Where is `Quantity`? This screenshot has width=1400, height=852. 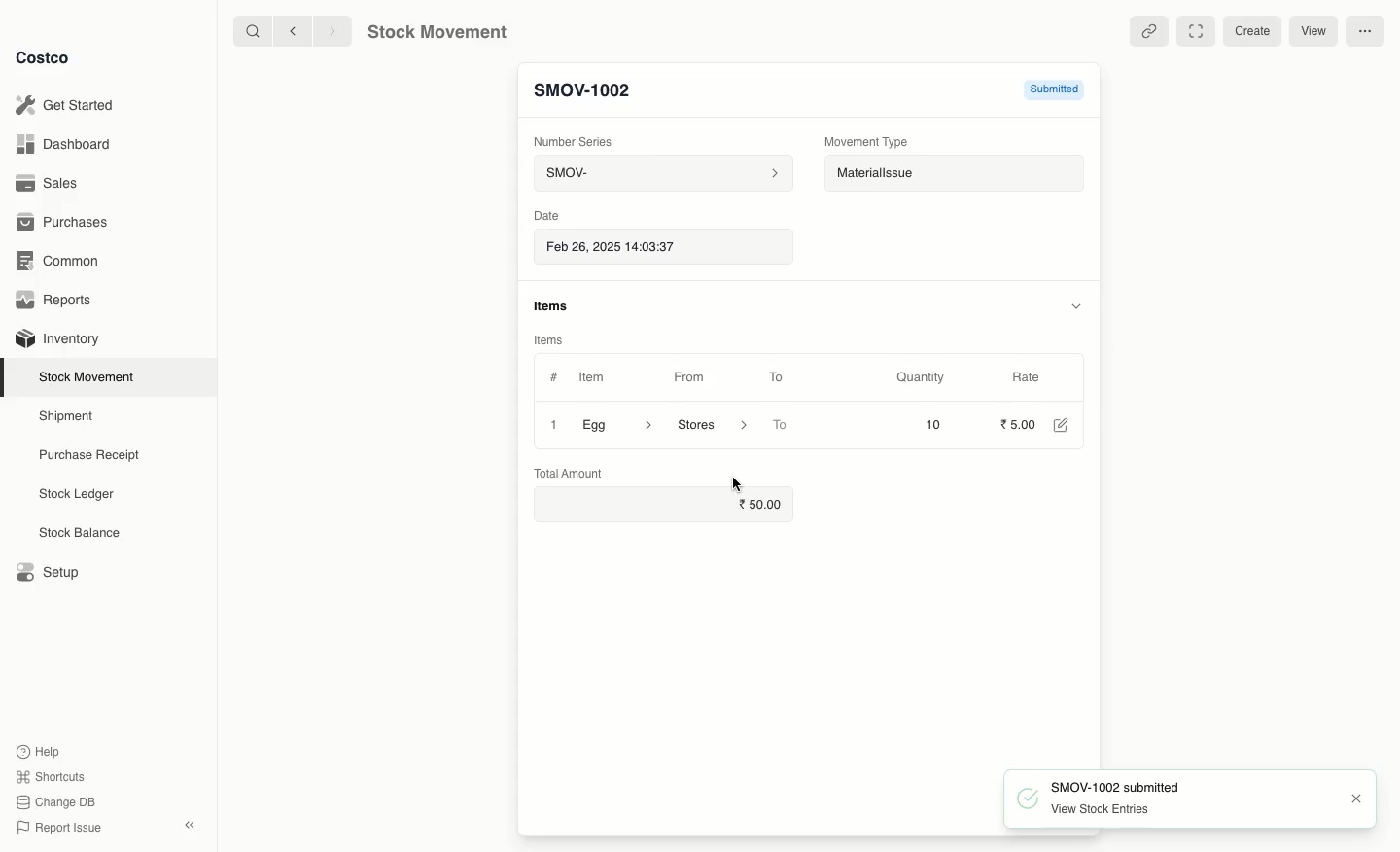 Quantity is located at coordinates (924, 378).